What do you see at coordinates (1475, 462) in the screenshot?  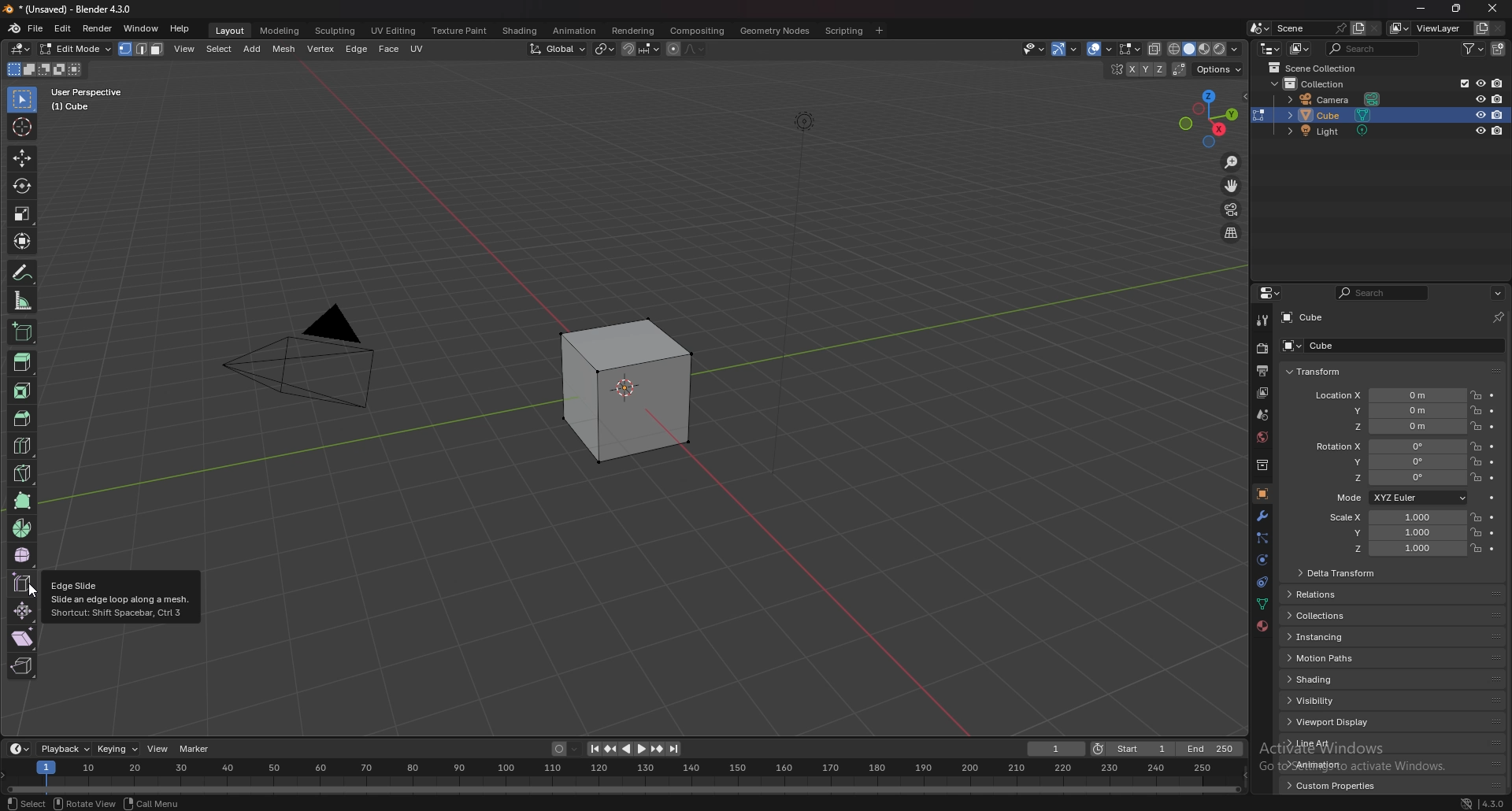 I see `lock` at bounding box center [1475, 462].